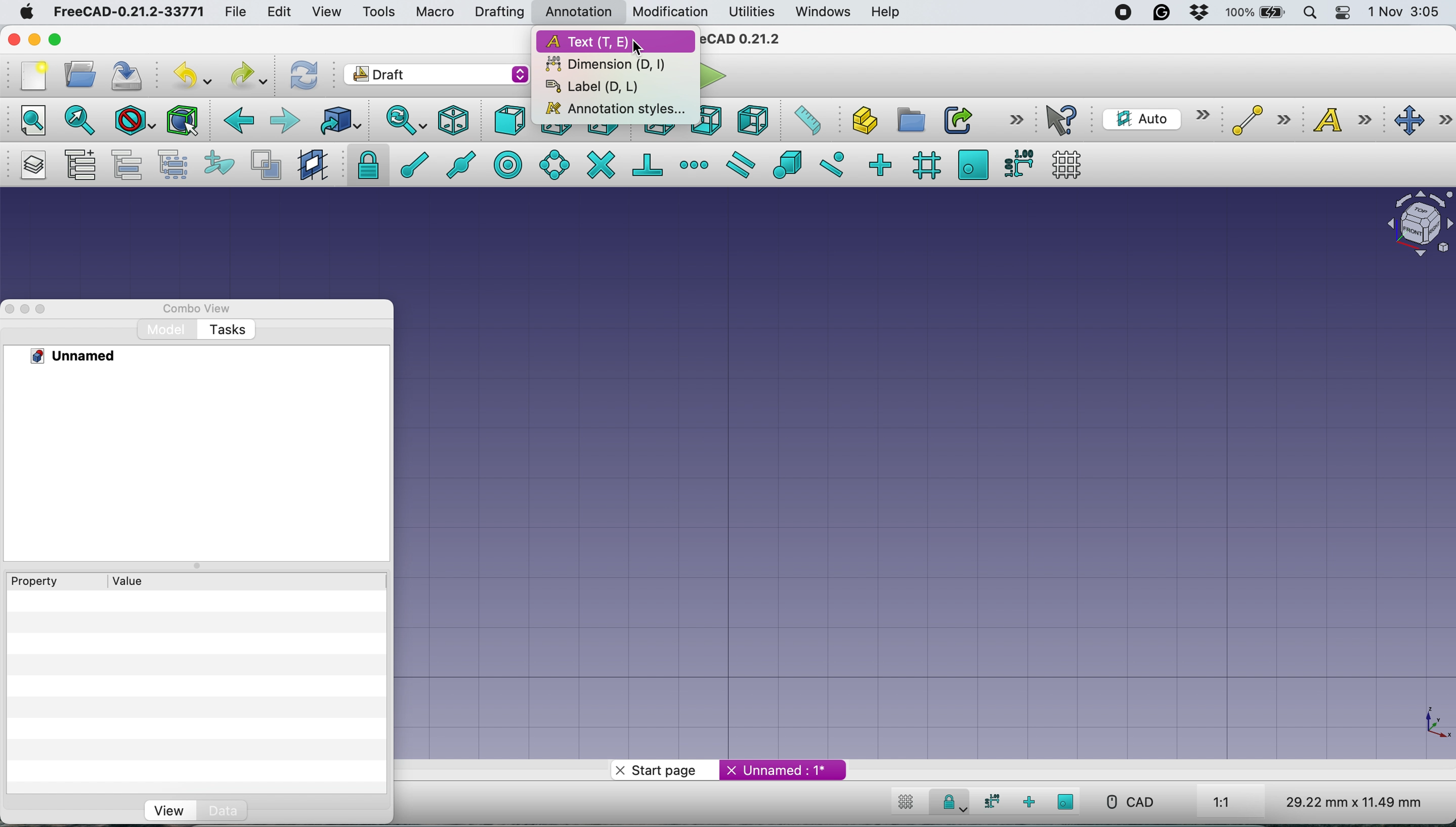 This screenshot has width=1456, height=827. Describe the element at coordinates (25, 310) in the screenshot. I see `minimise` at that location.